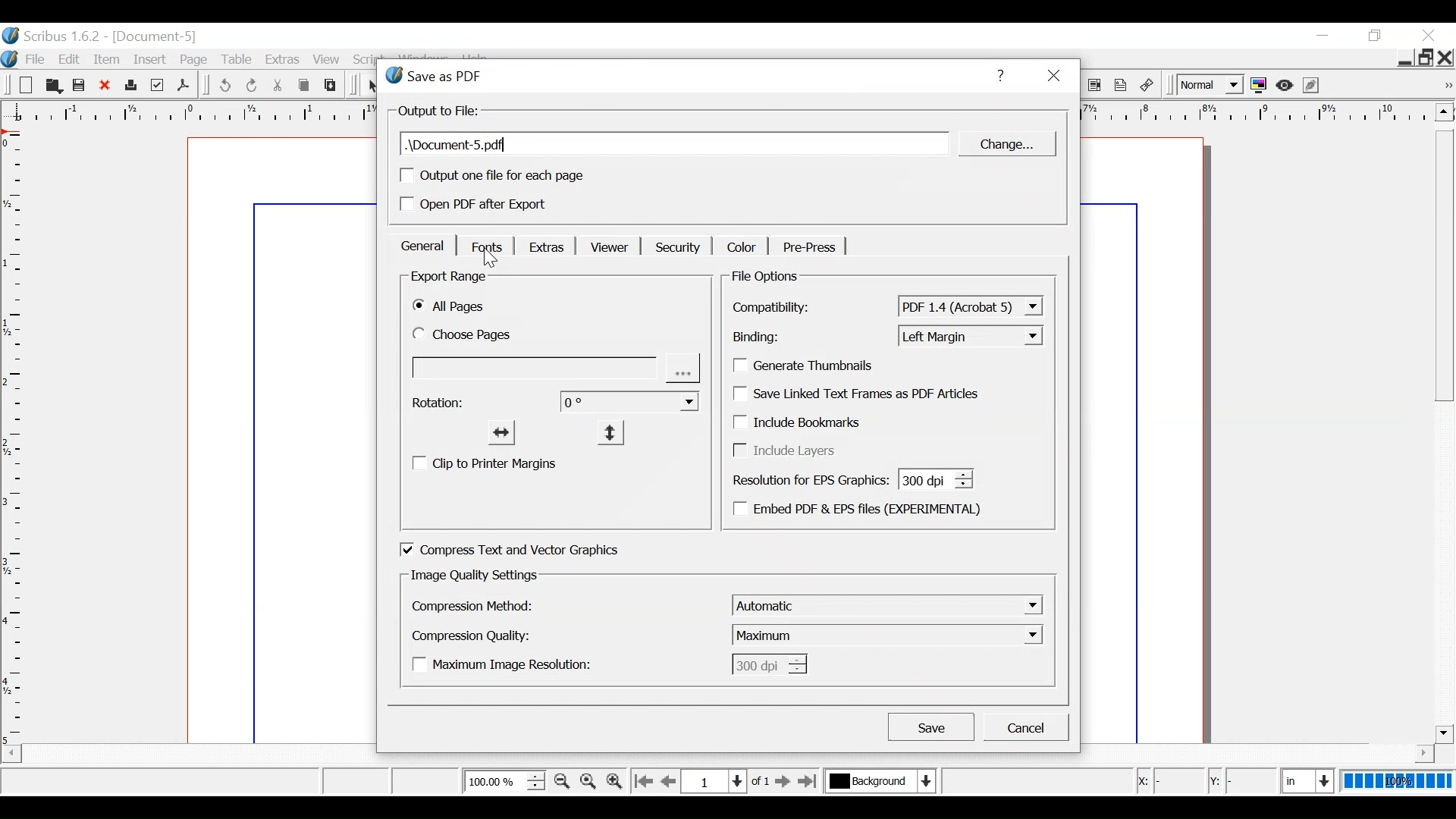 This screenshot has width=1456, height=819. What do you see at coordinates (776, 308) in the screenshot?
I see `Compatibility` at bounding box center [776, 308].